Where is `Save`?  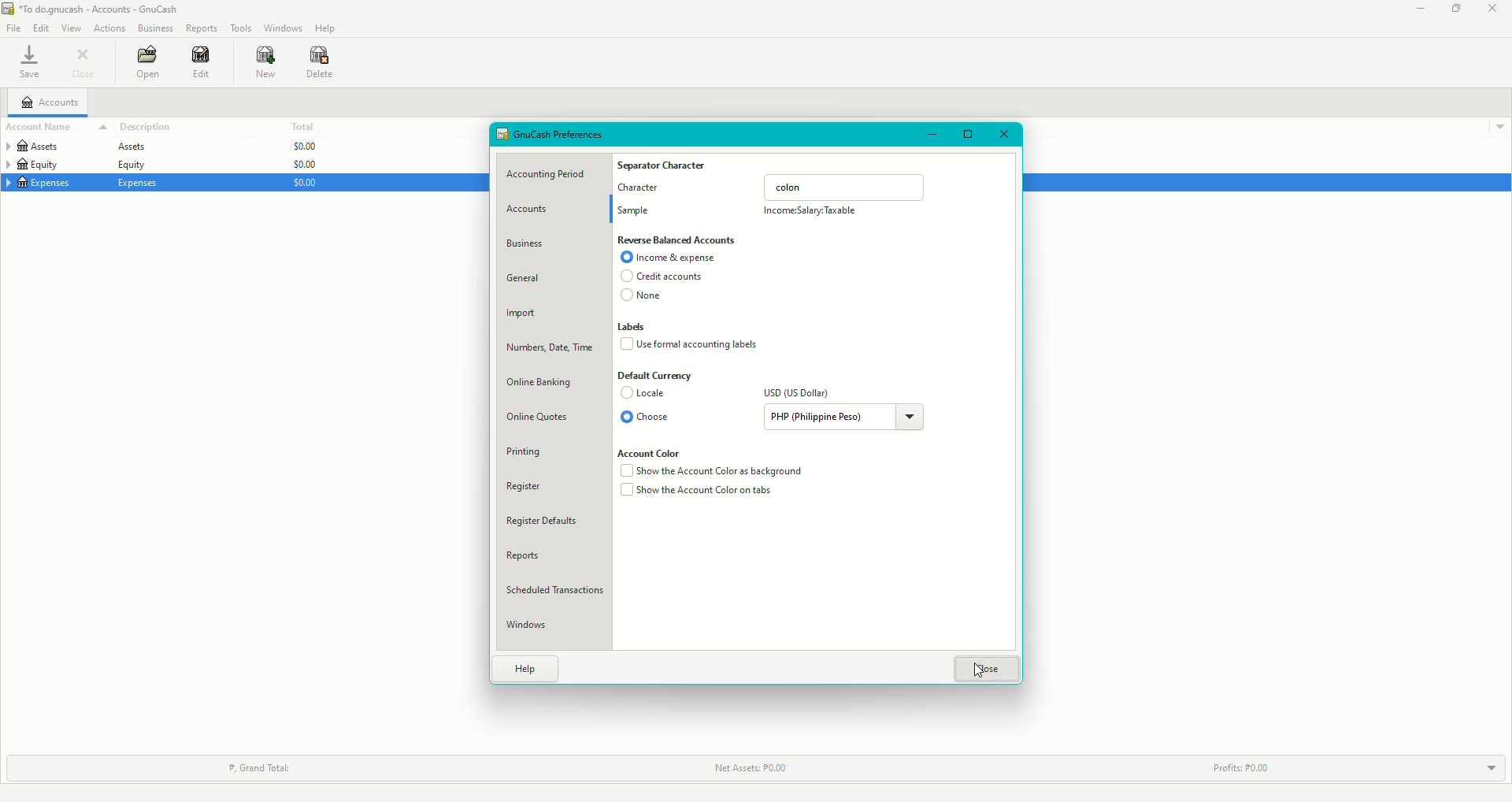 Save is located at coordinates (30, 61).